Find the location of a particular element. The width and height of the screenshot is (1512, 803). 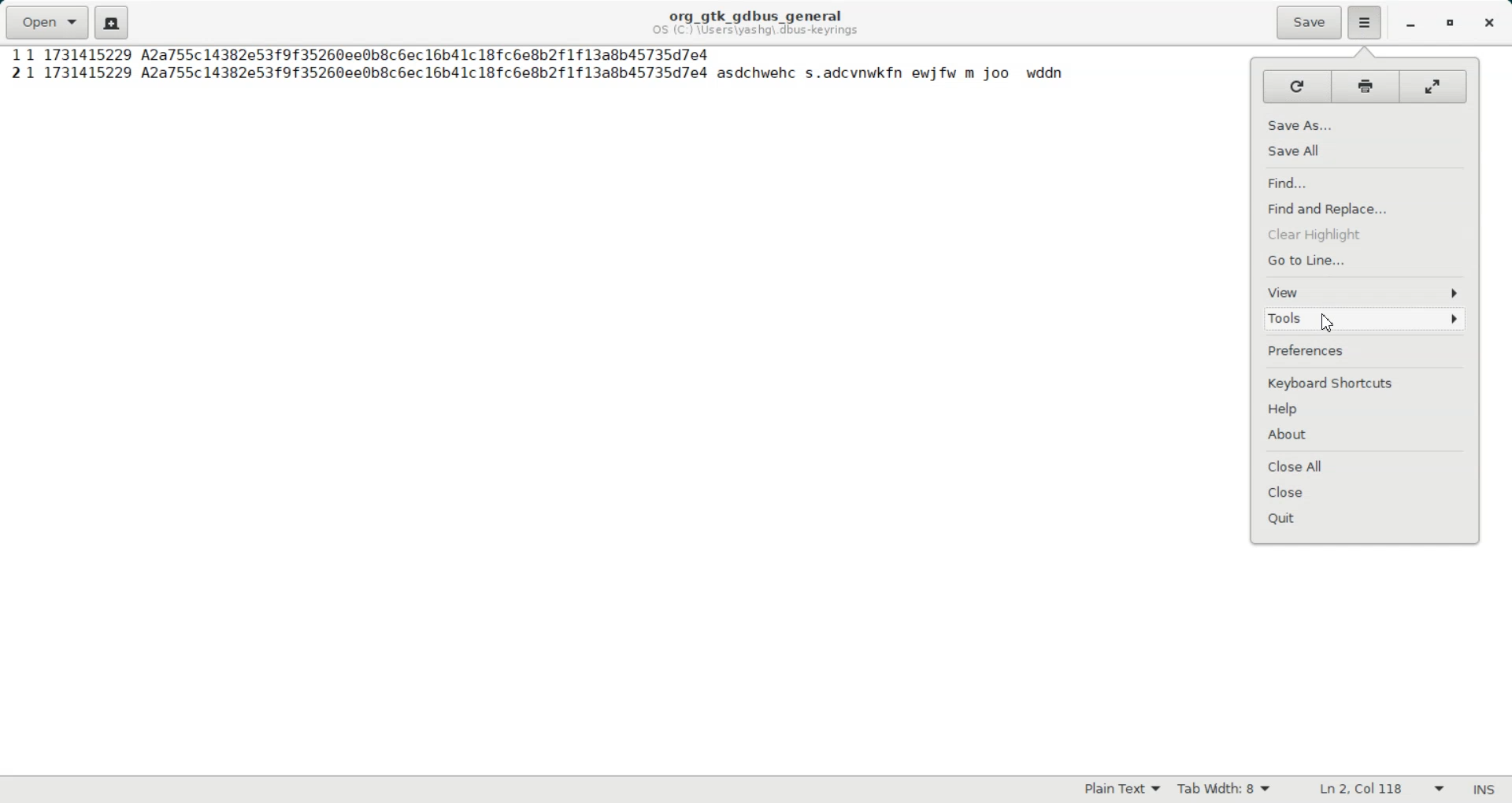

Refresh is located at coordinates (1297, 87).